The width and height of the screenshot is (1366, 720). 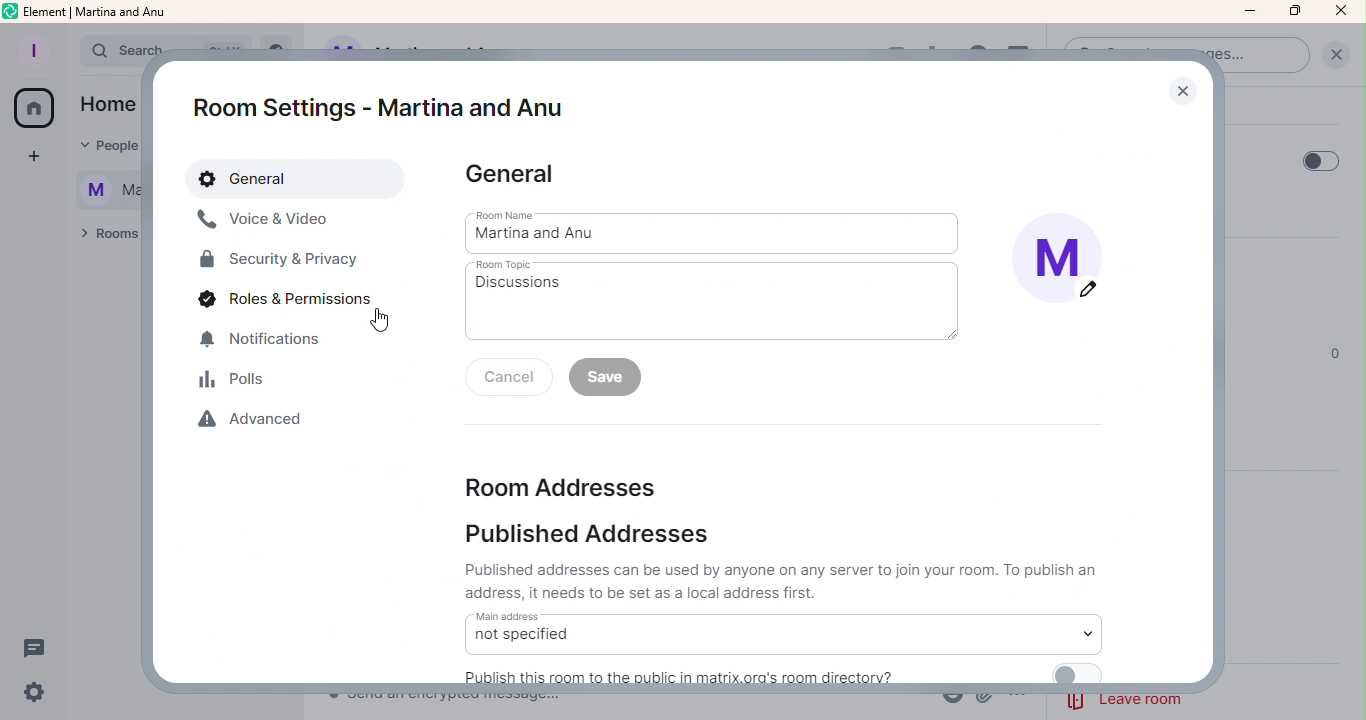 I want to click on Voice and video, so click(x=268, y=222).